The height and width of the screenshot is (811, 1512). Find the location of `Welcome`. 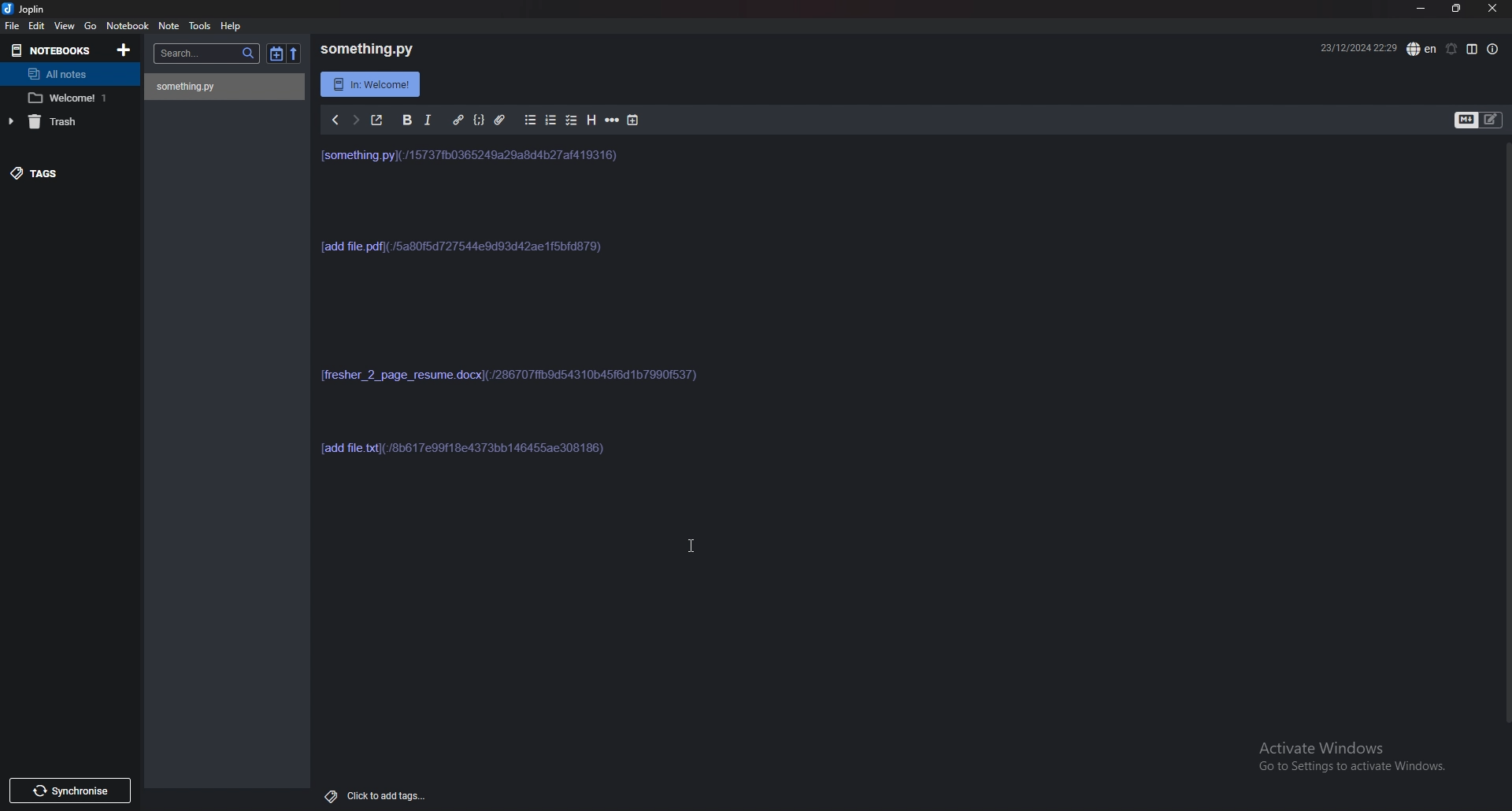

Welcome is located at coordinates (73, 99).